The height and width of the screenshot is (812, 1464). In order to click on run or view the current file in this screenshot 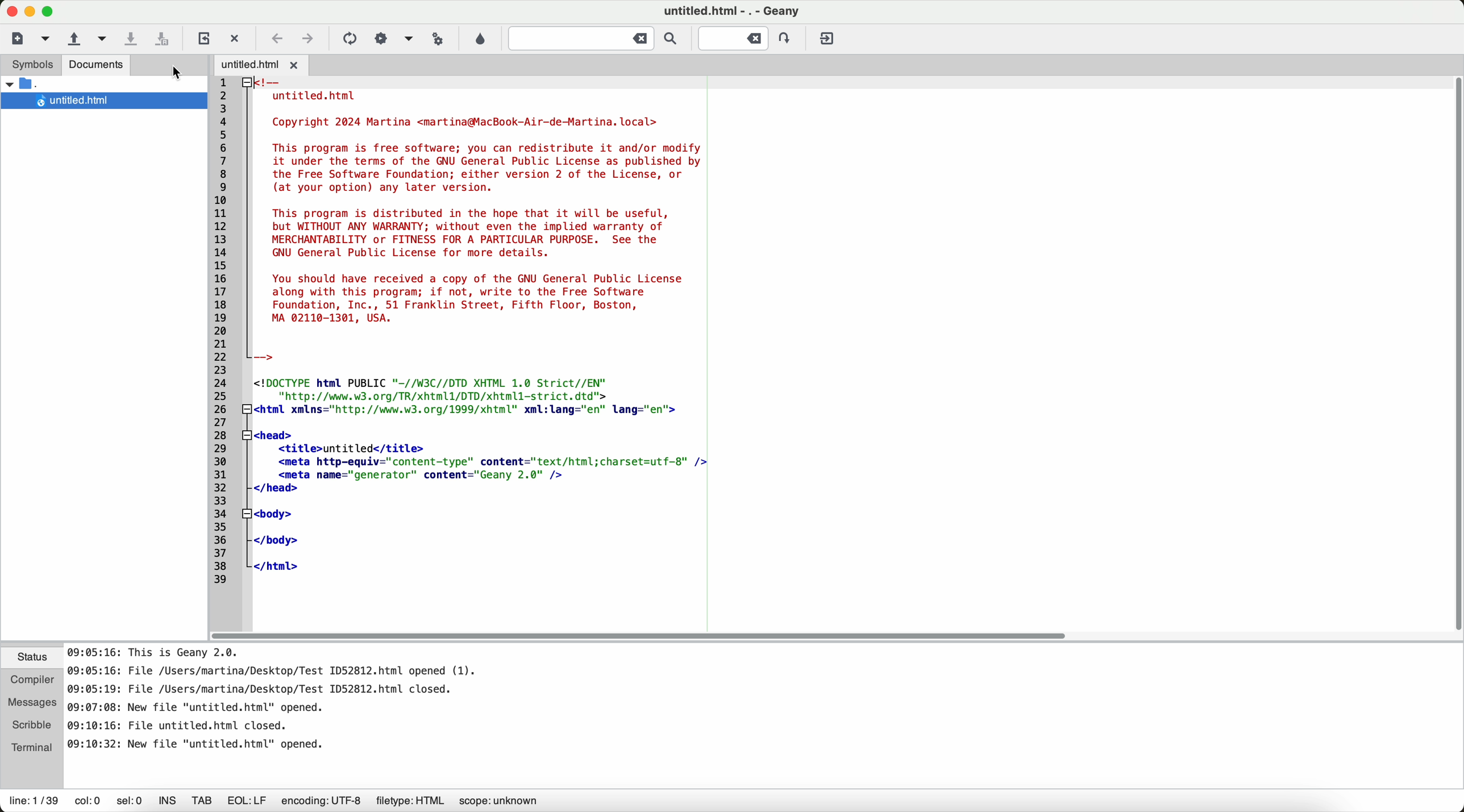, I will do `click(439, 39)`.